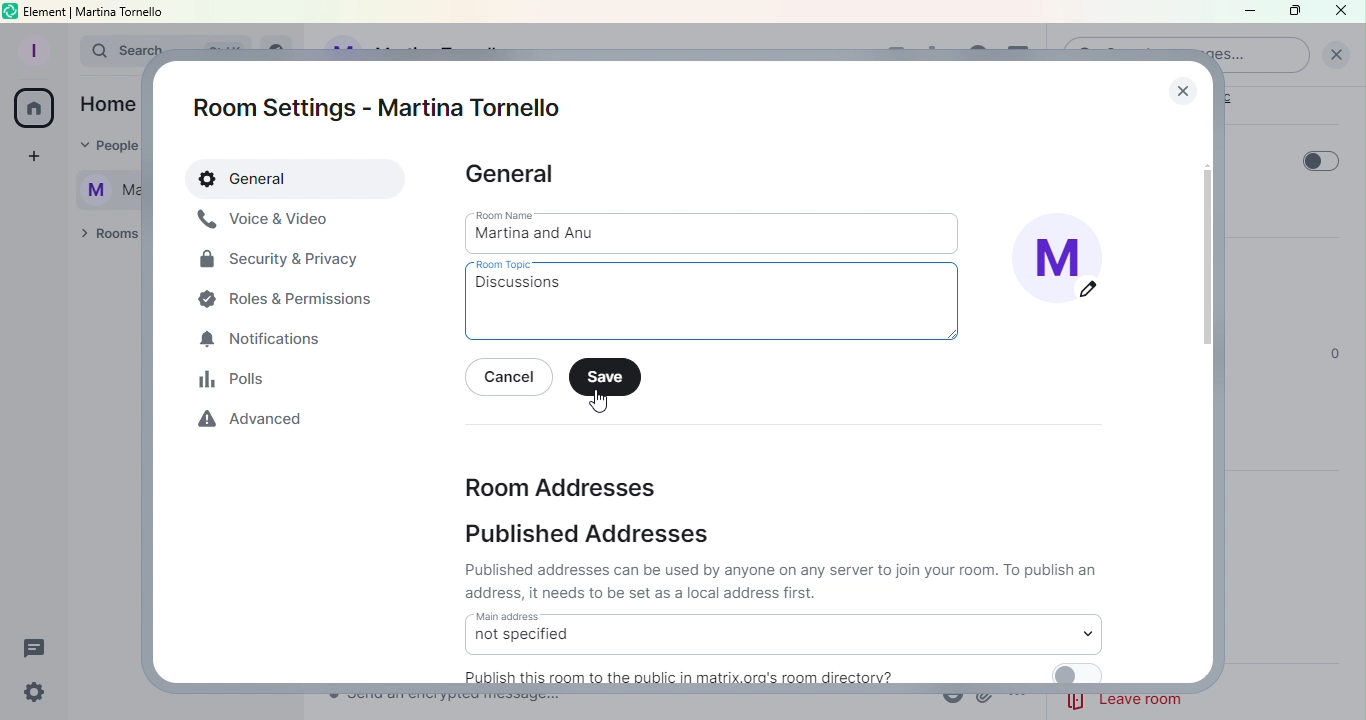 Image resolution: width=1366 pixels, height=720 pixels. I want to click on Quick settings, so click(31, 694).